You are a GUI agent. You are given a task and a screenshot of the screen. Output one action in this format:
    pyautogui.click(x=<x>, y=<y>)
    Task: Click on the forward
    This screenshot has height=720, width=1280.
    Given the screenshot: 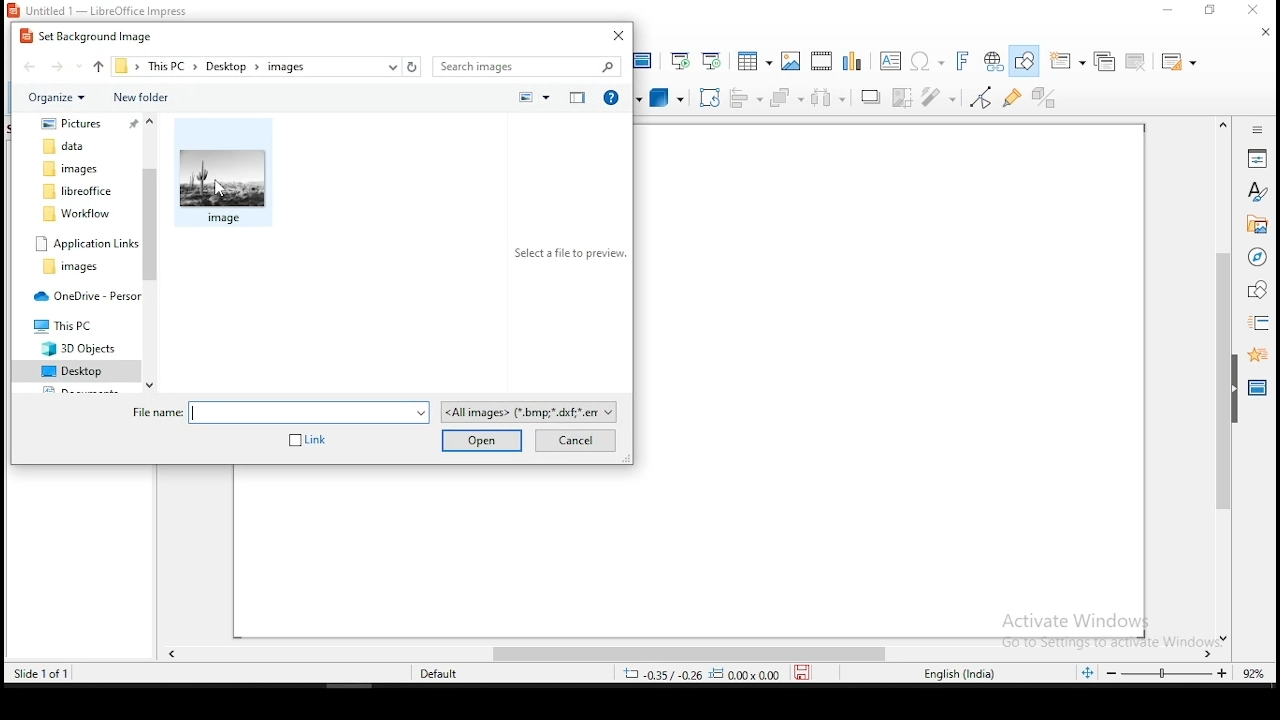 What is the action you would take?
    pyautogui.click(x=61, y=67)
    